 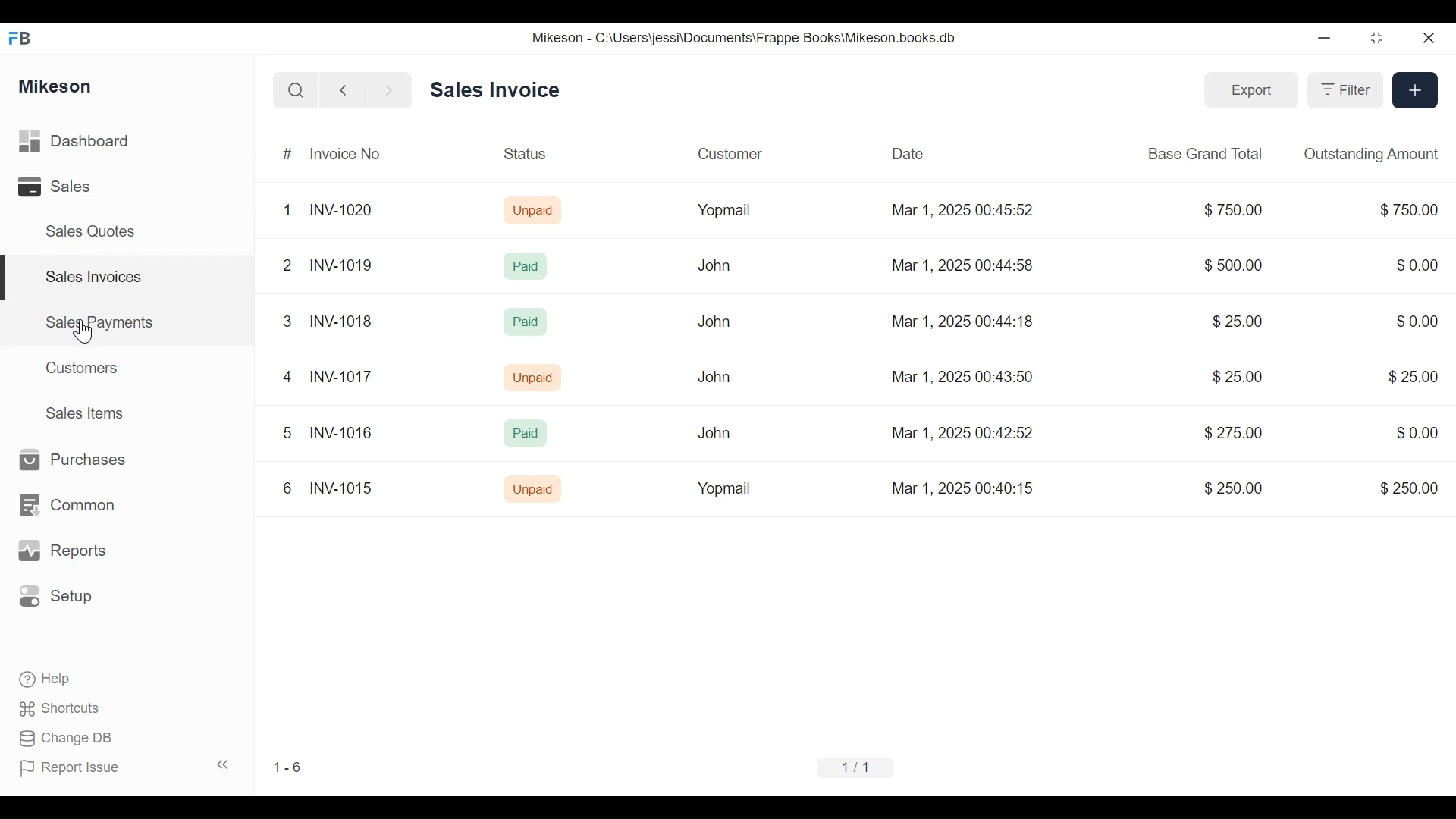 What do you see at coordinates (341, 433) in the screenshot?
I see `INV-1016` at bounding box center [341, 433].